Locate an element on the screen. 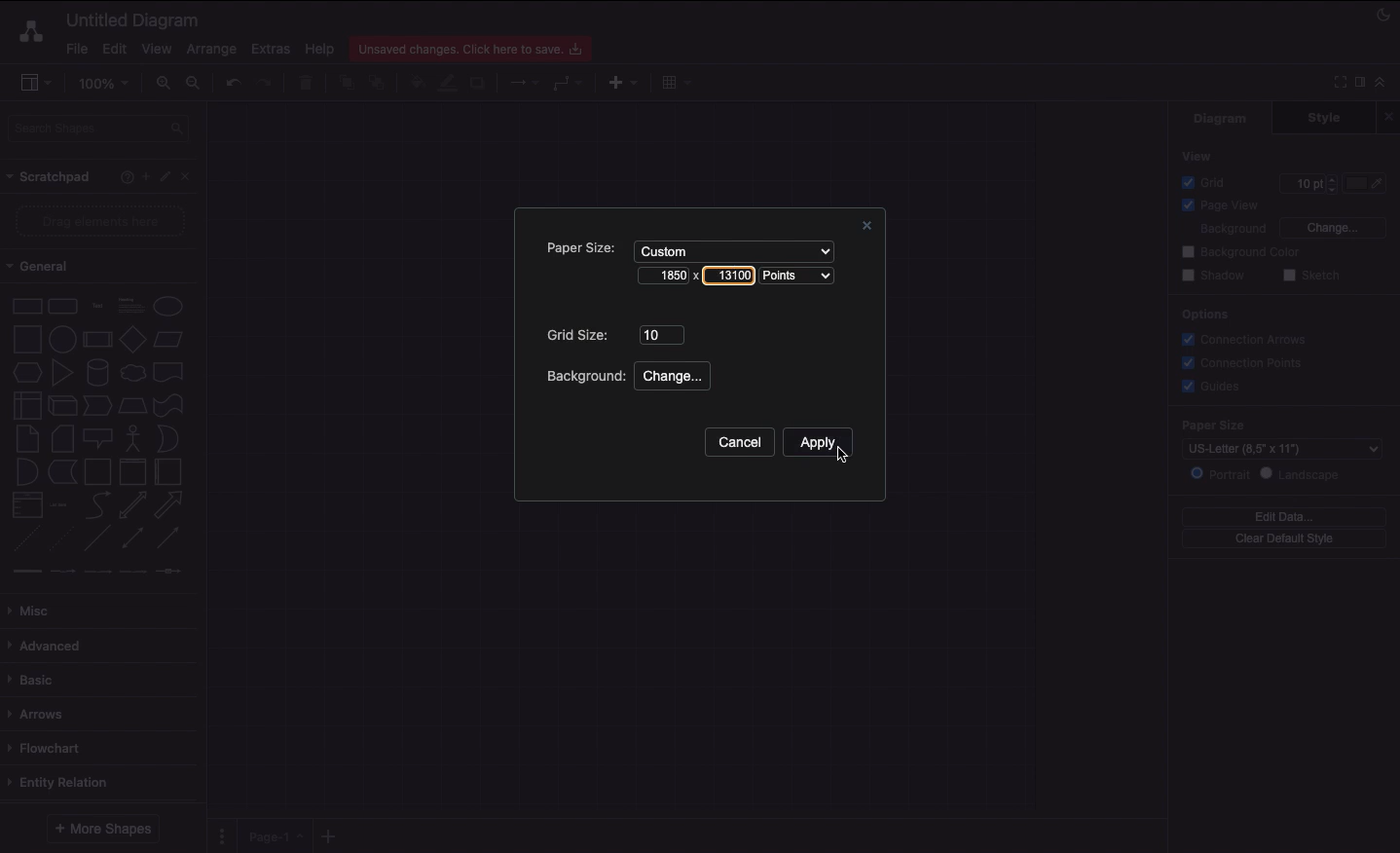 This screenshot has width=1400, height=853. Edit is located at coordinates (112, 49).